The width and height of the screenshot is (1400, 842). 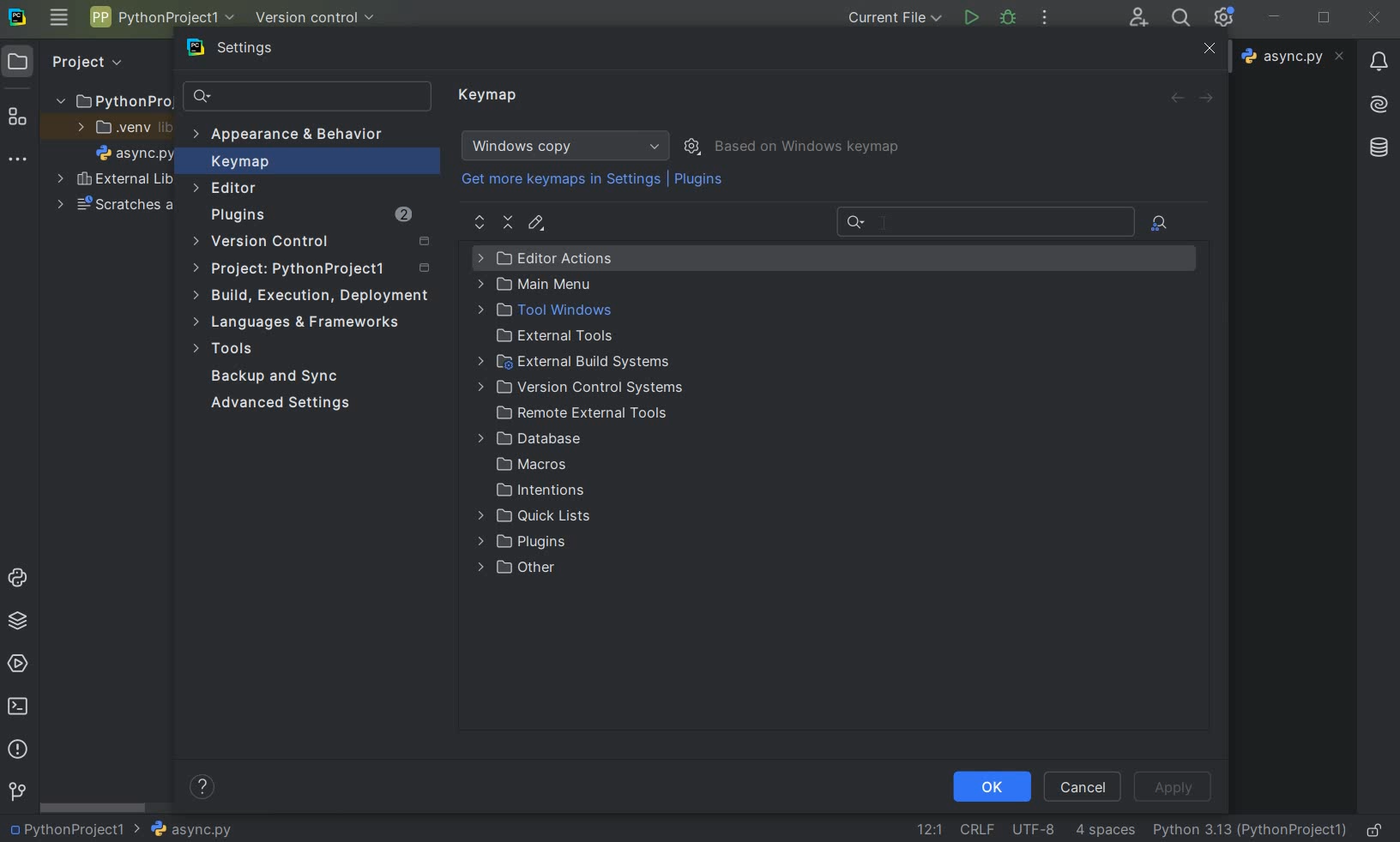 What do you see at coordinates (15, 159) in the screenshot?
I see `more tool windows` at bounding box center [15, 159].